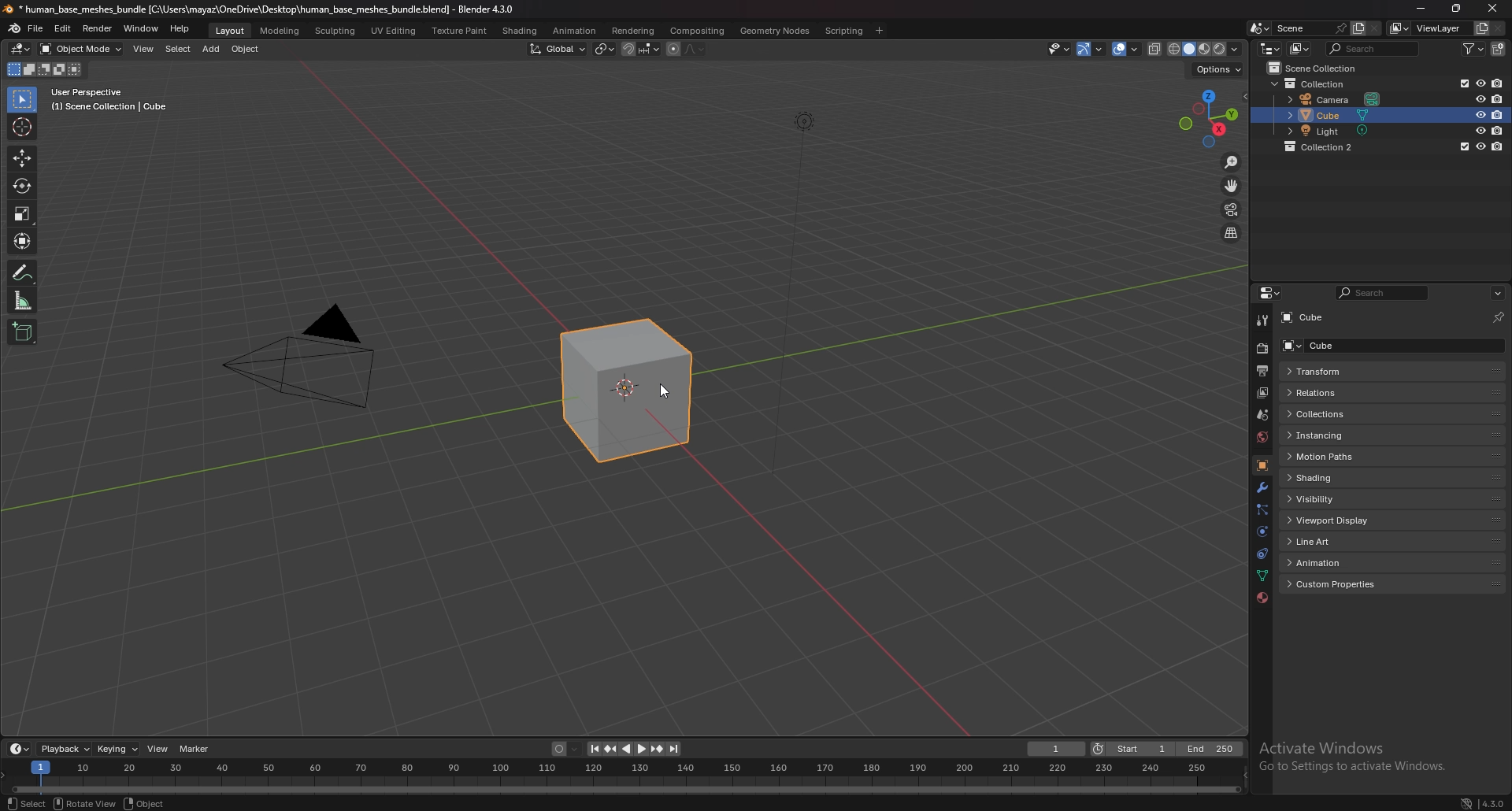 This screenshot has width=1512, height=811. Describe the element at coordinates (1456, 8) in the screenshot. I see `resize` at that location.